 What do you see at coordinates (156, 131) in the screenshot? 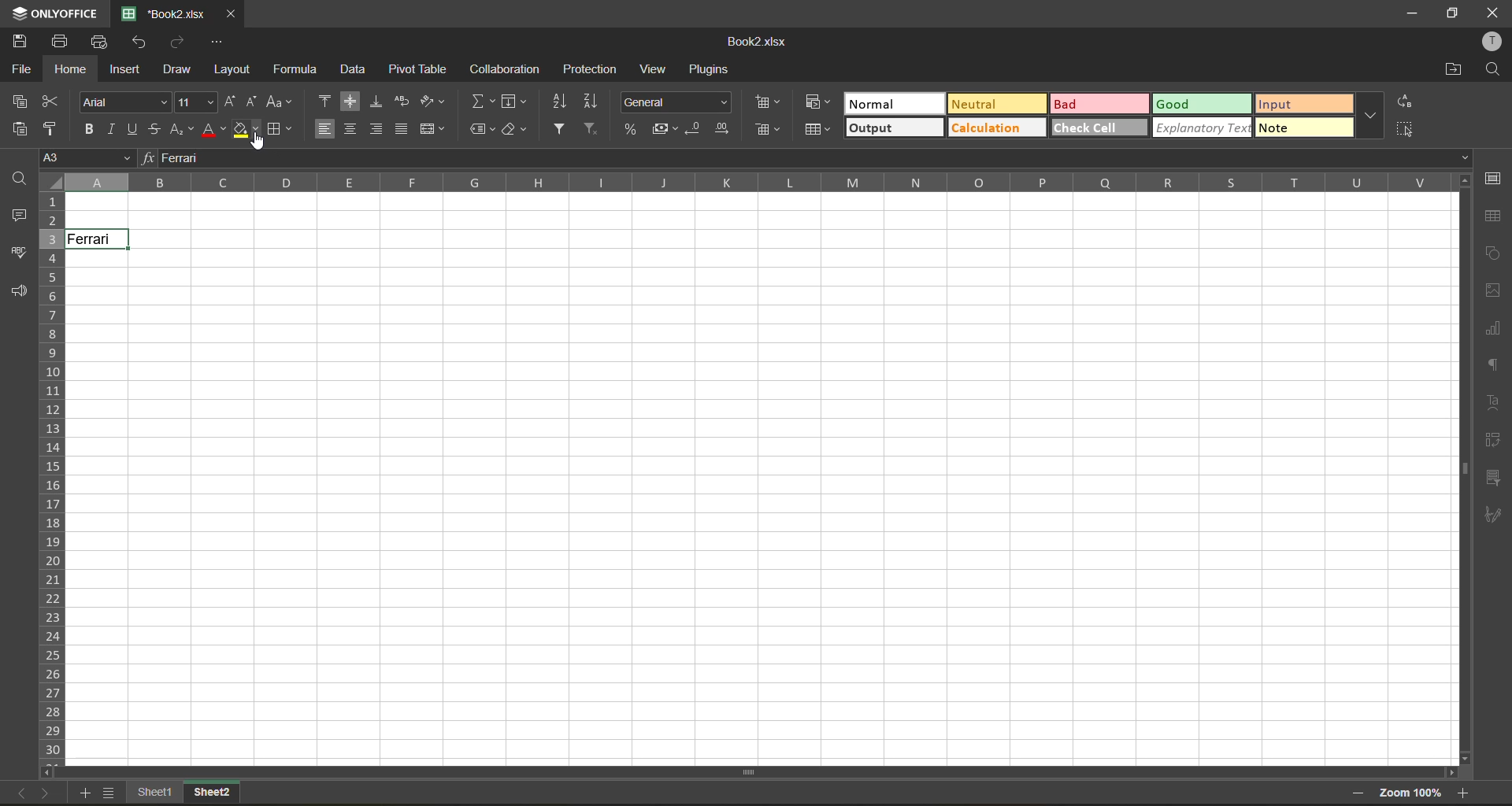
I see `strikethrough` at bounding box center [156, 131].